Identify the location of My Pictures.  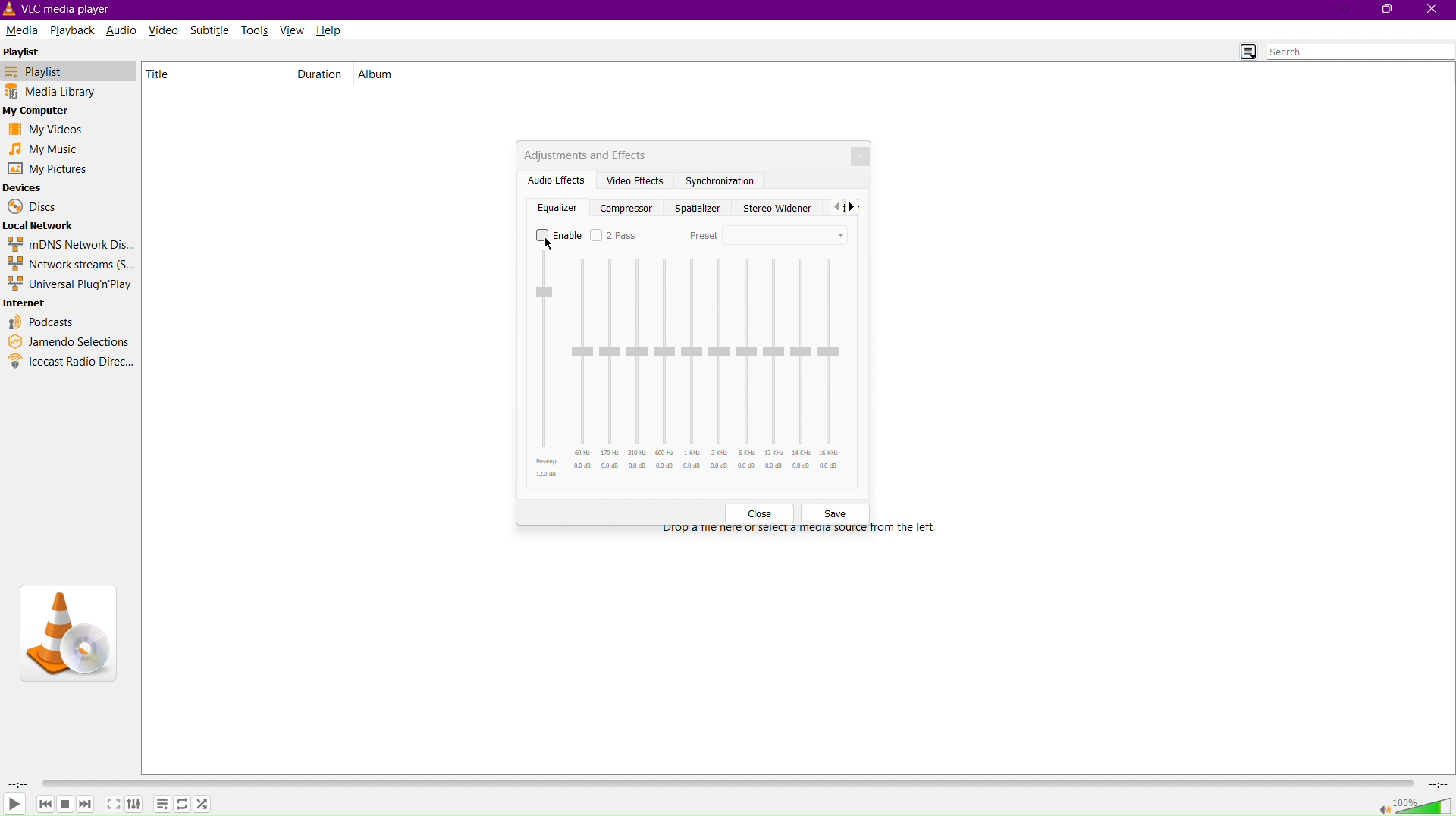
(52, 170).